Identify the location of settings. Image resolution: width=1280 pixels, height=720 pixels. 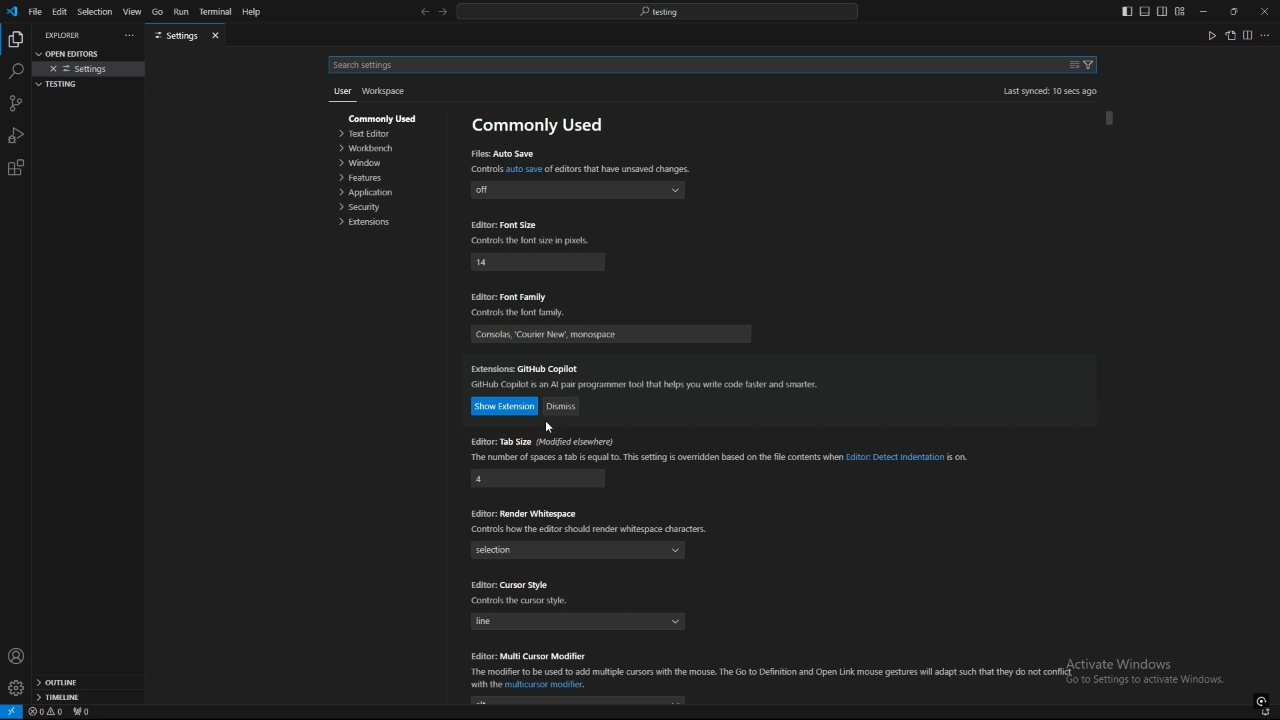
(90, 69).